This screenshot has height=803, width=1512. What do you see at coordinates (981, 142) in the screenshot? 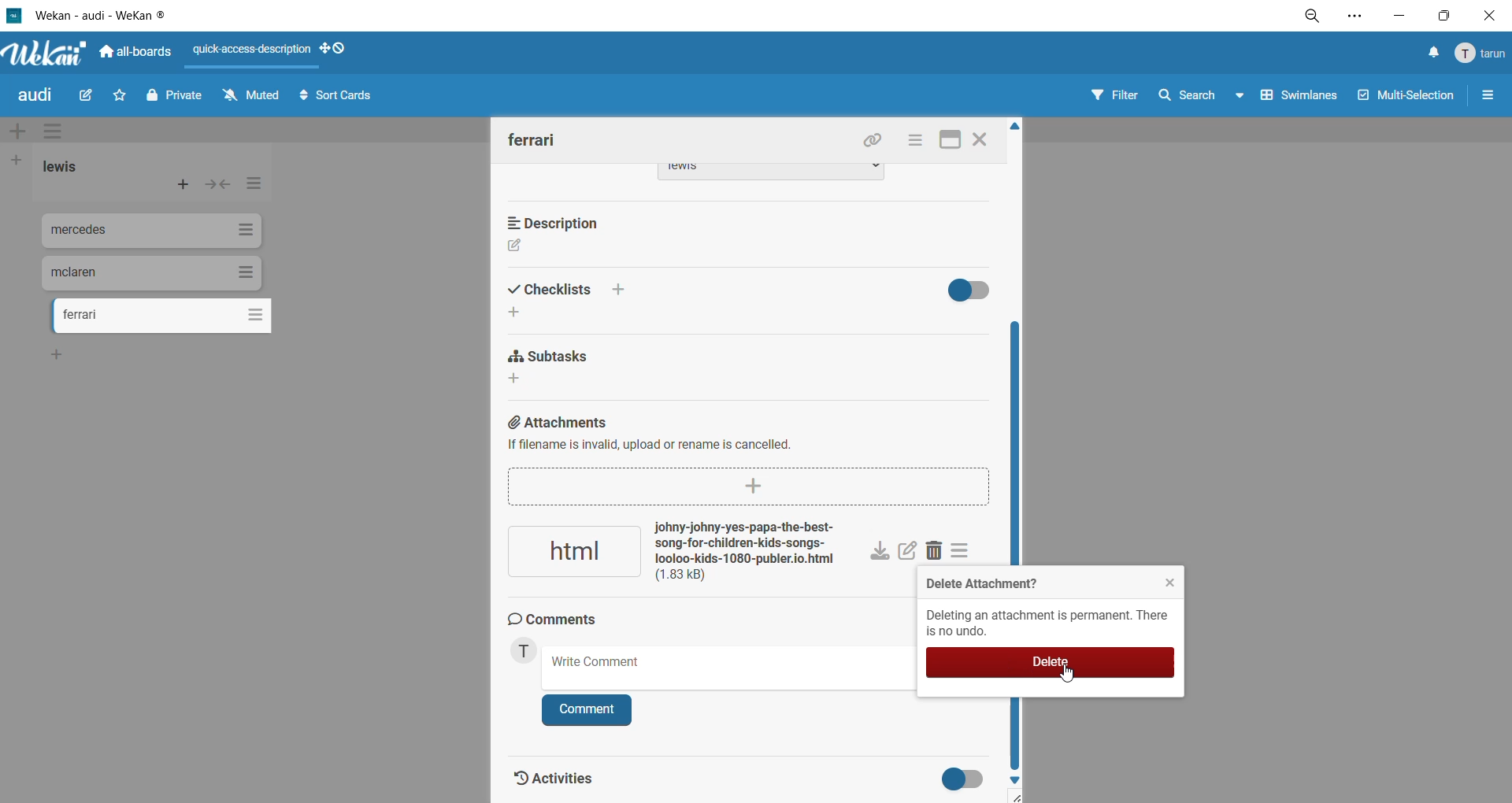
I see `close` at bounding box center [981, 142].